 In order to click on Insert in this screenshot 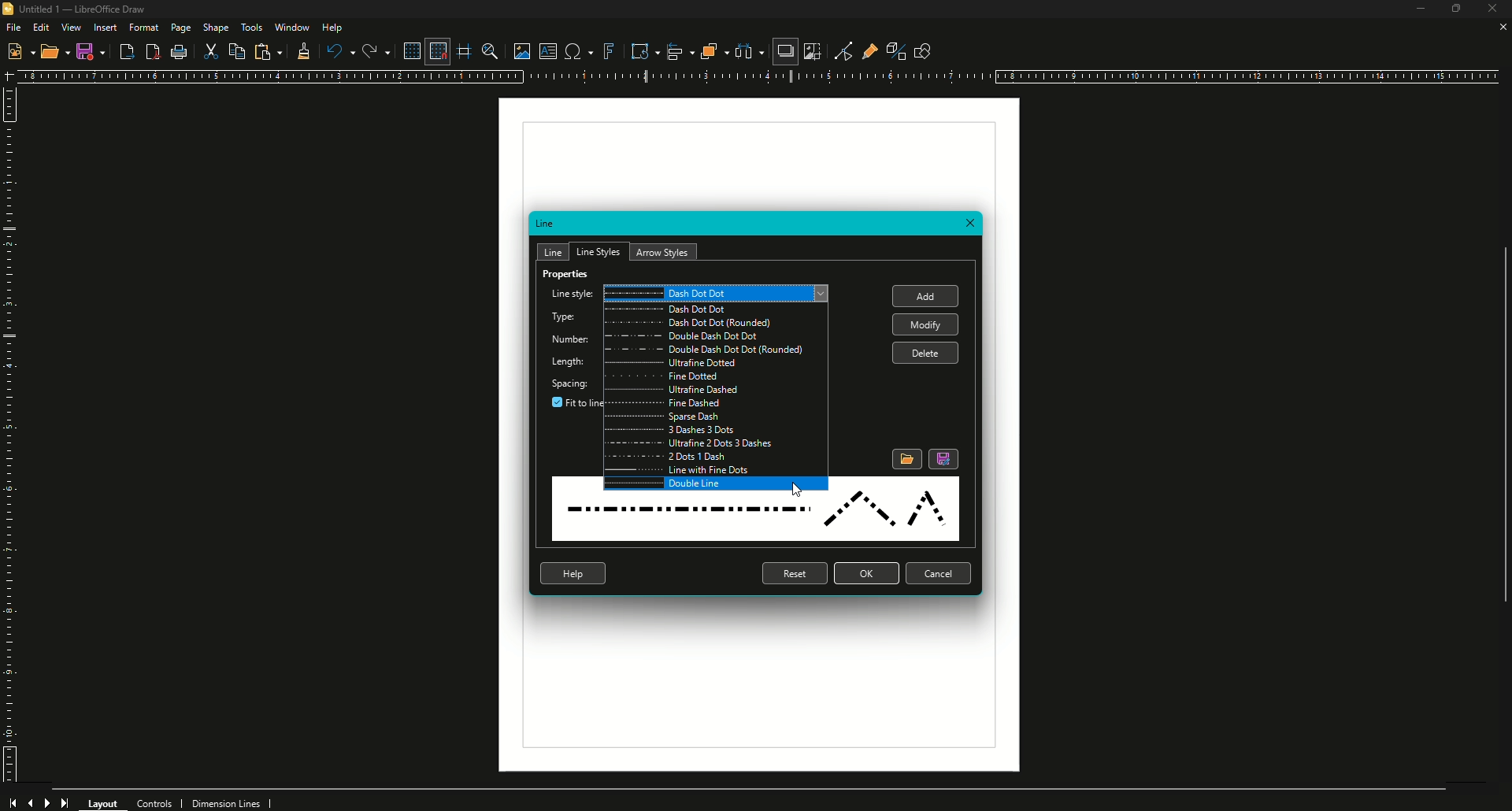, I will do `click(105, 28)`.